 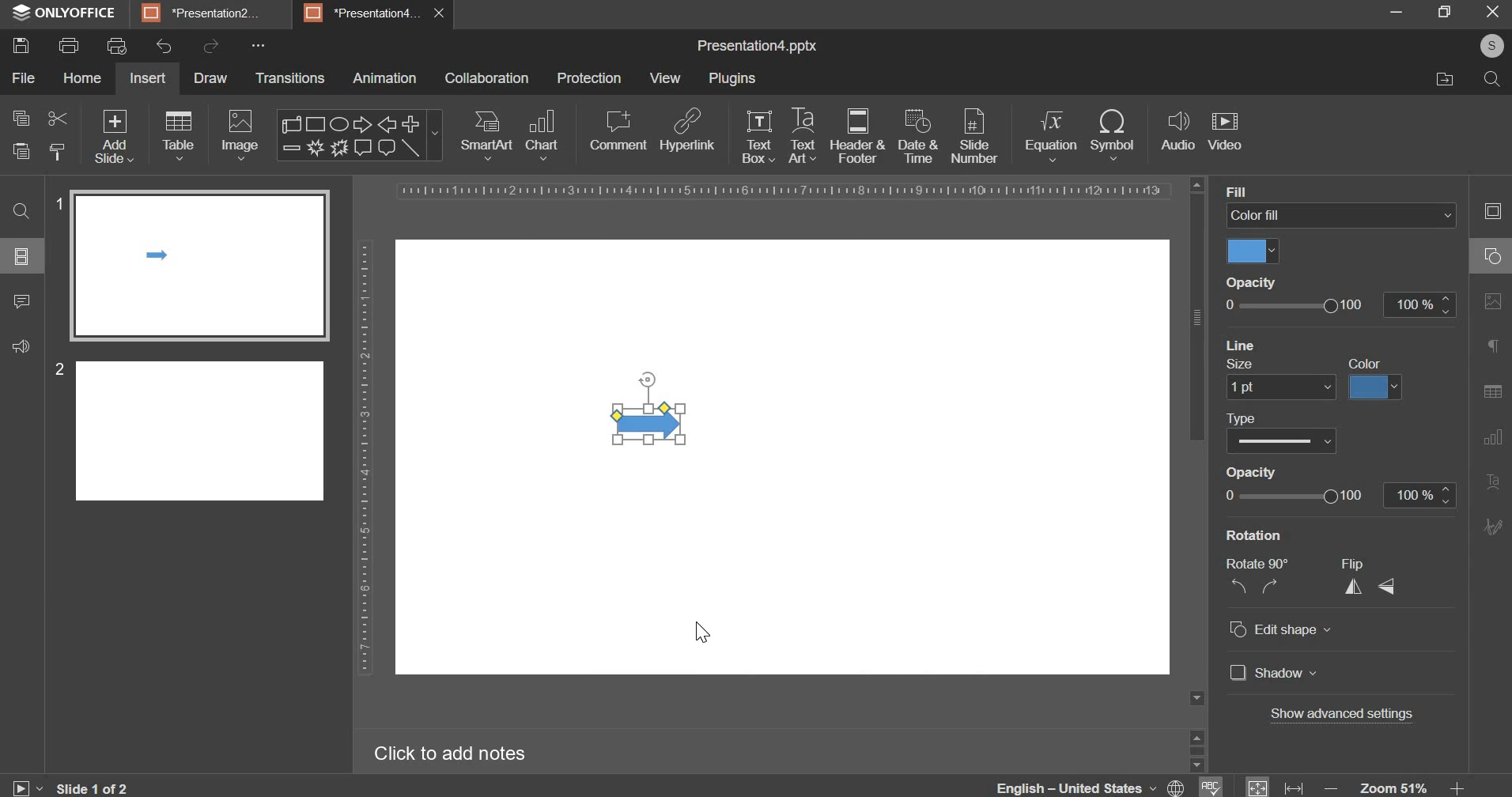 I want to click on undo, so click(x=164, y=47).